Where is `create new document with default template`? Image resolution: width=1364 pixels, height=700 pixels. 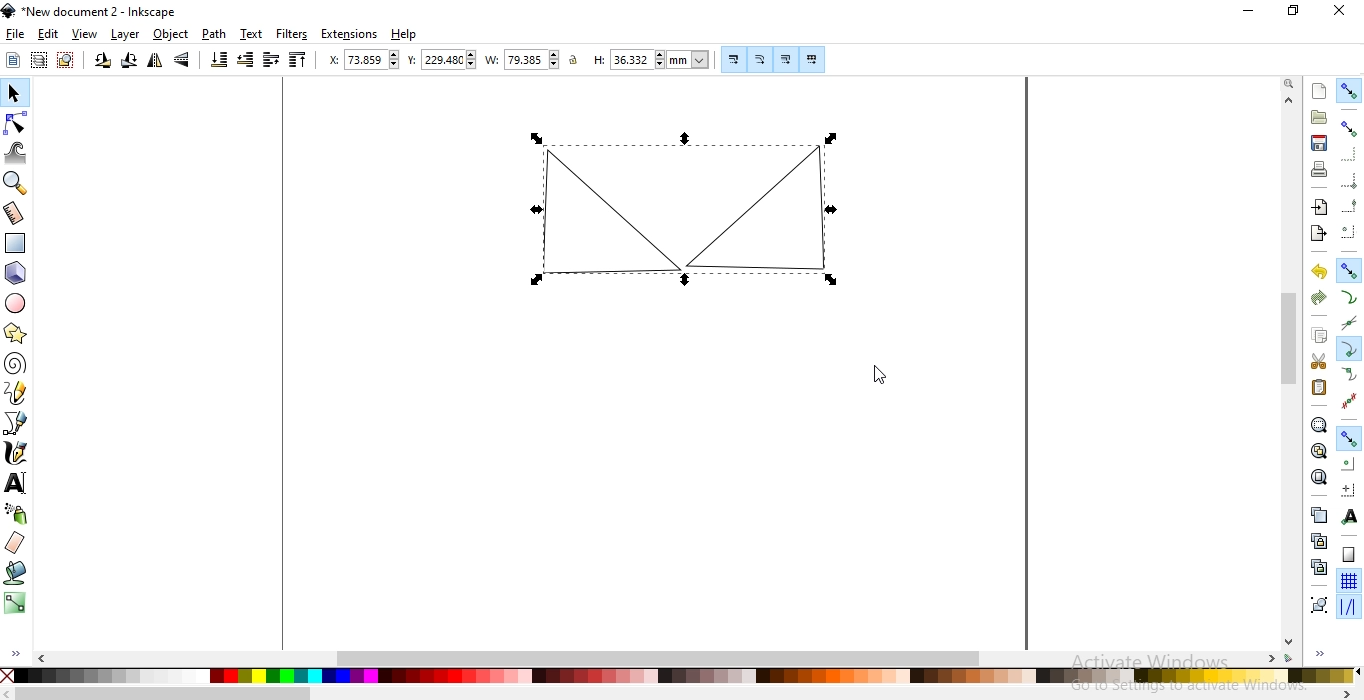 create new document with default template is located at coordinates (1320, 91).